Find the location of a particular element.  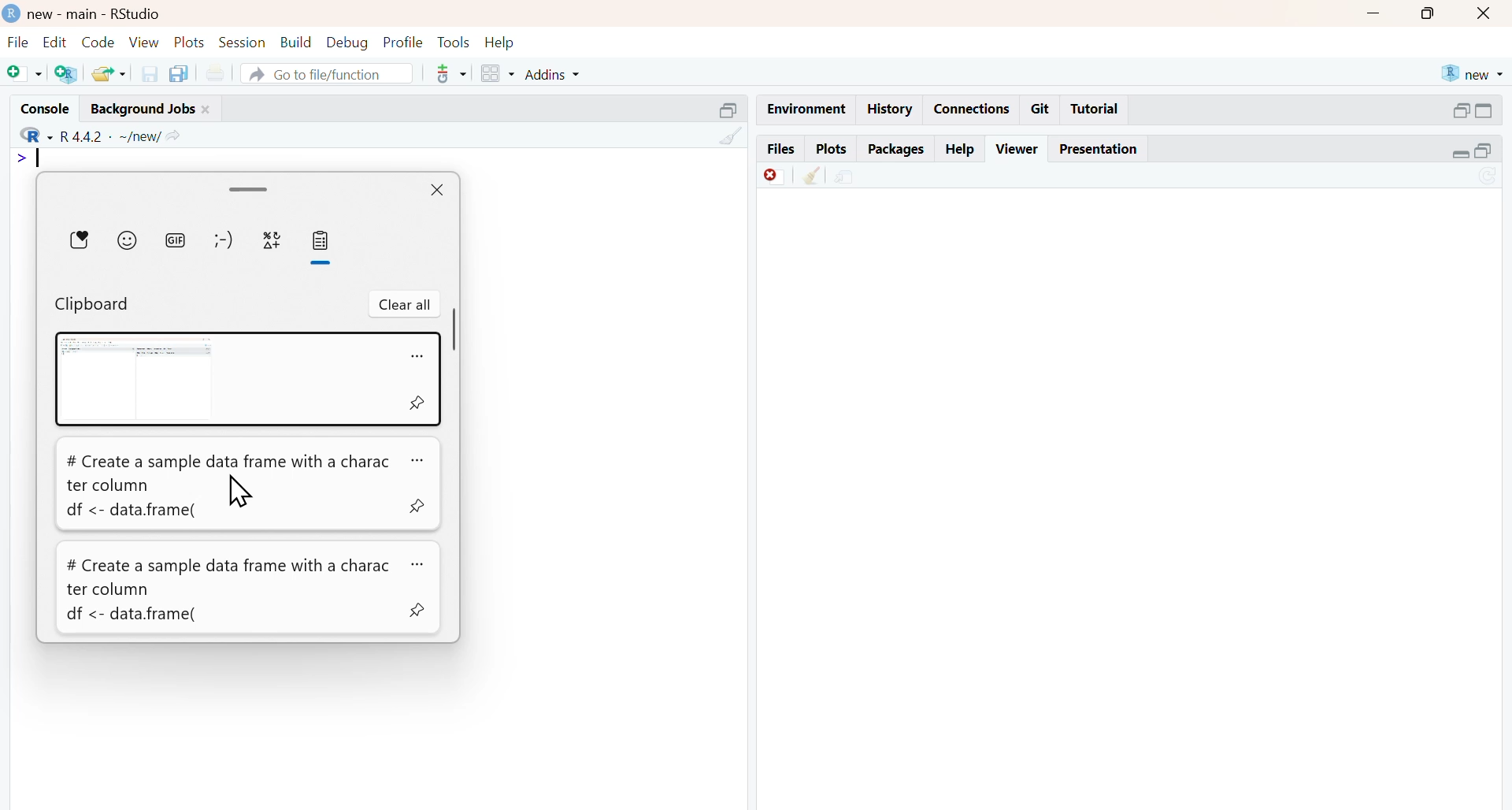

help is located at coordinates (961, 149).